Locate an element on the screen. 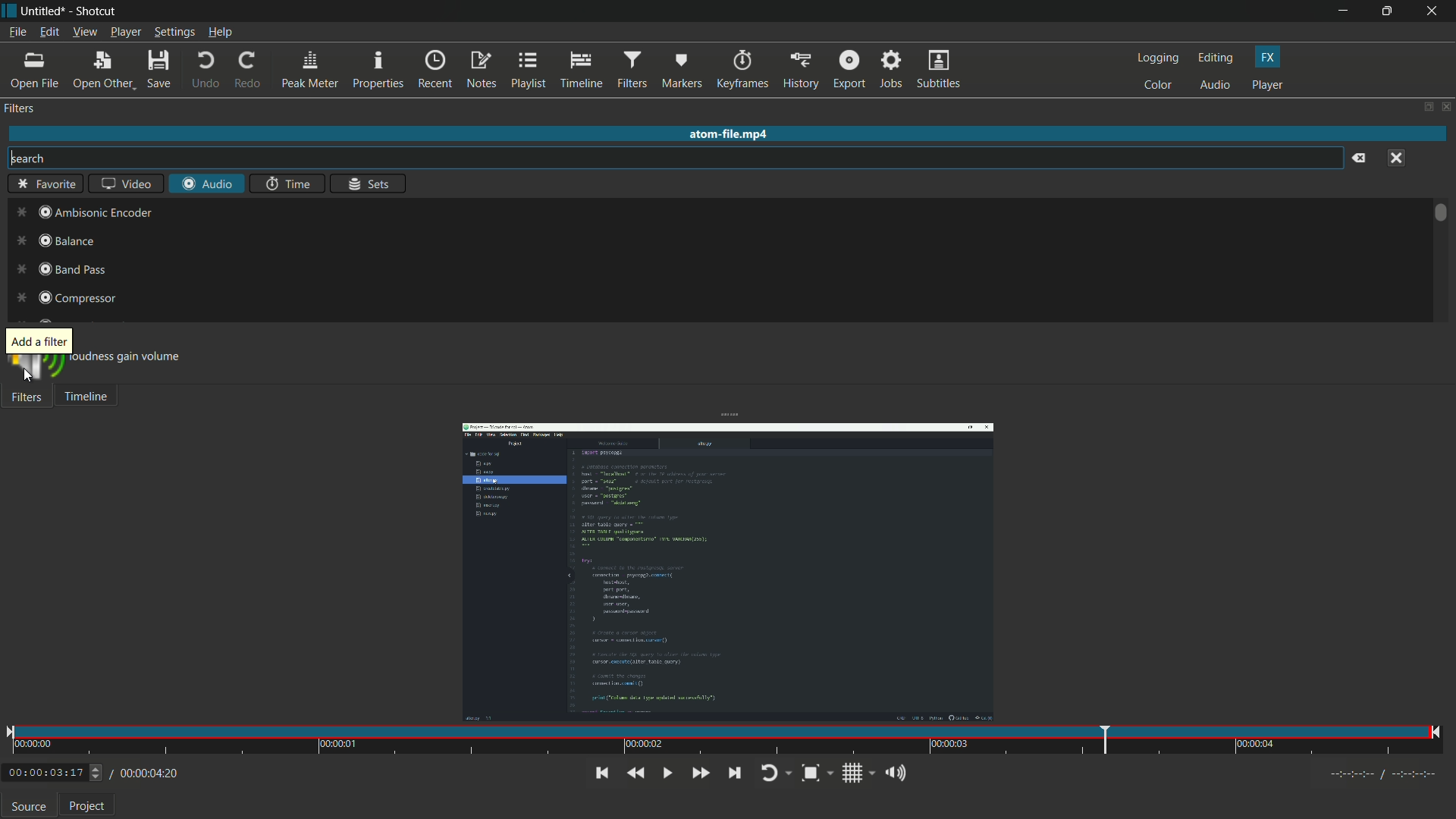  recent is located at coordinates (435, 71).